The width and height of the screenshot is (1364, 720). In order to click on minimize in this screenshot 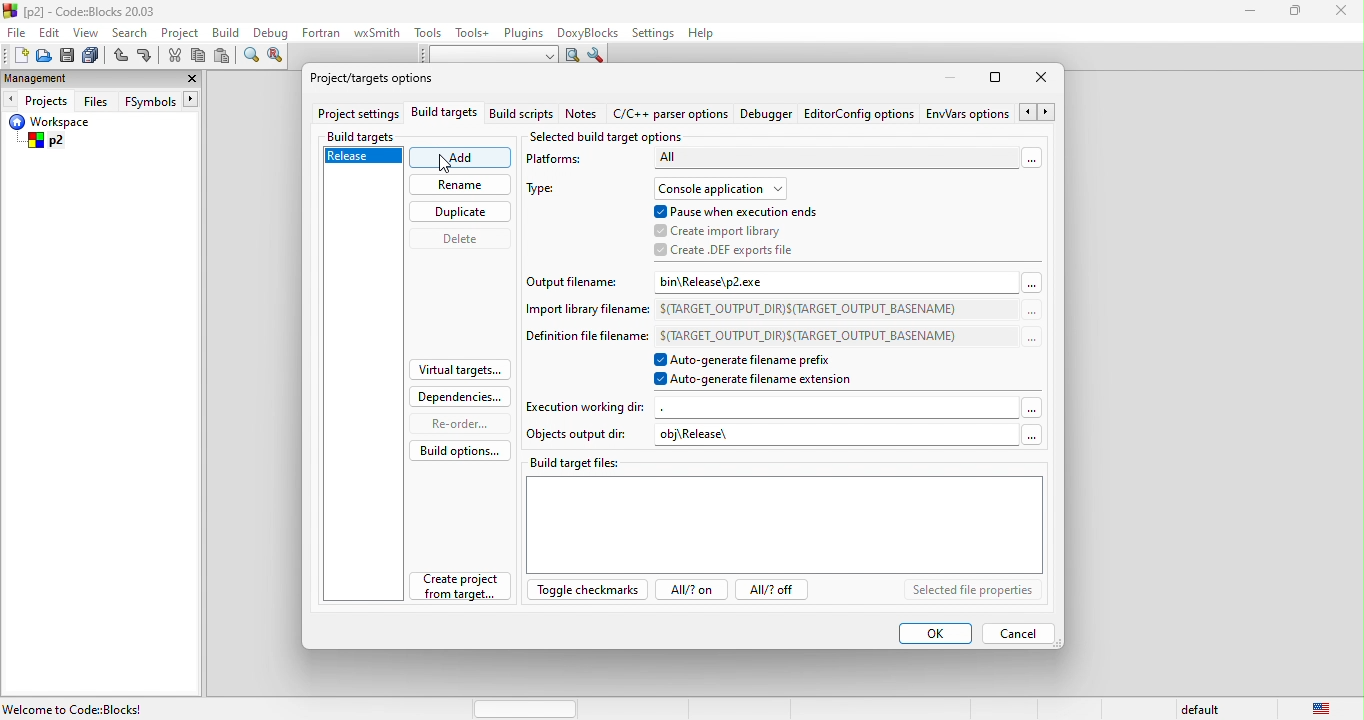, I will do `click(1250, 13)`.